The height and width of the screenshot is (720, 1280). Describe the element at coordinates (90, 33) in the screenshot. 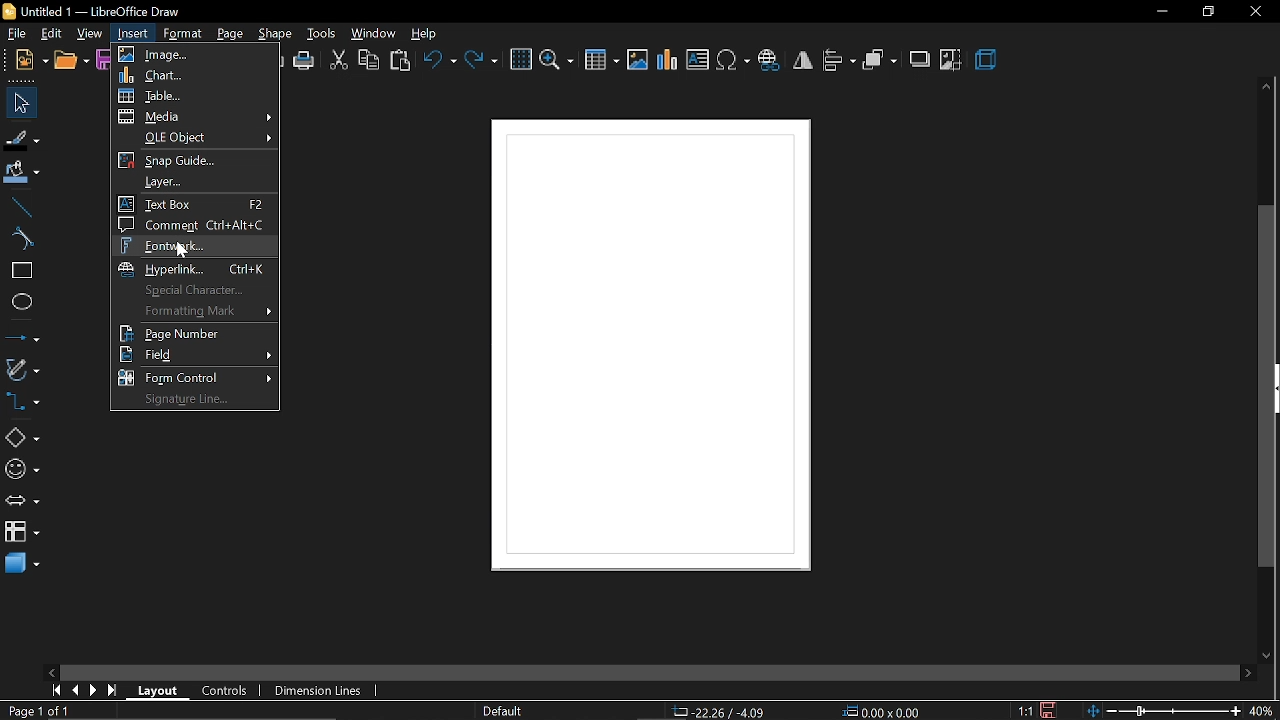

I see `view` at that location.